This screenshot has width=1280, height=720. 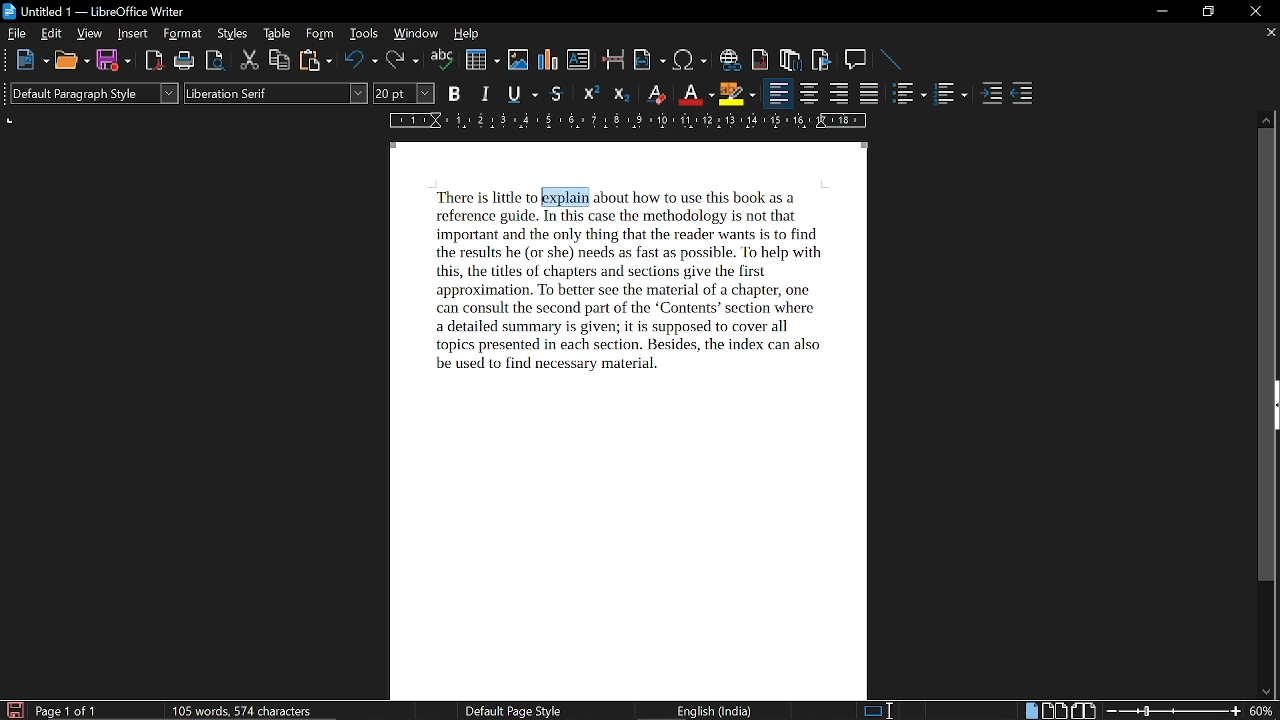 What do you see at coordinates (549, 60) in the screenshot?
I see `insert chart` at bounding box center [549, 60].